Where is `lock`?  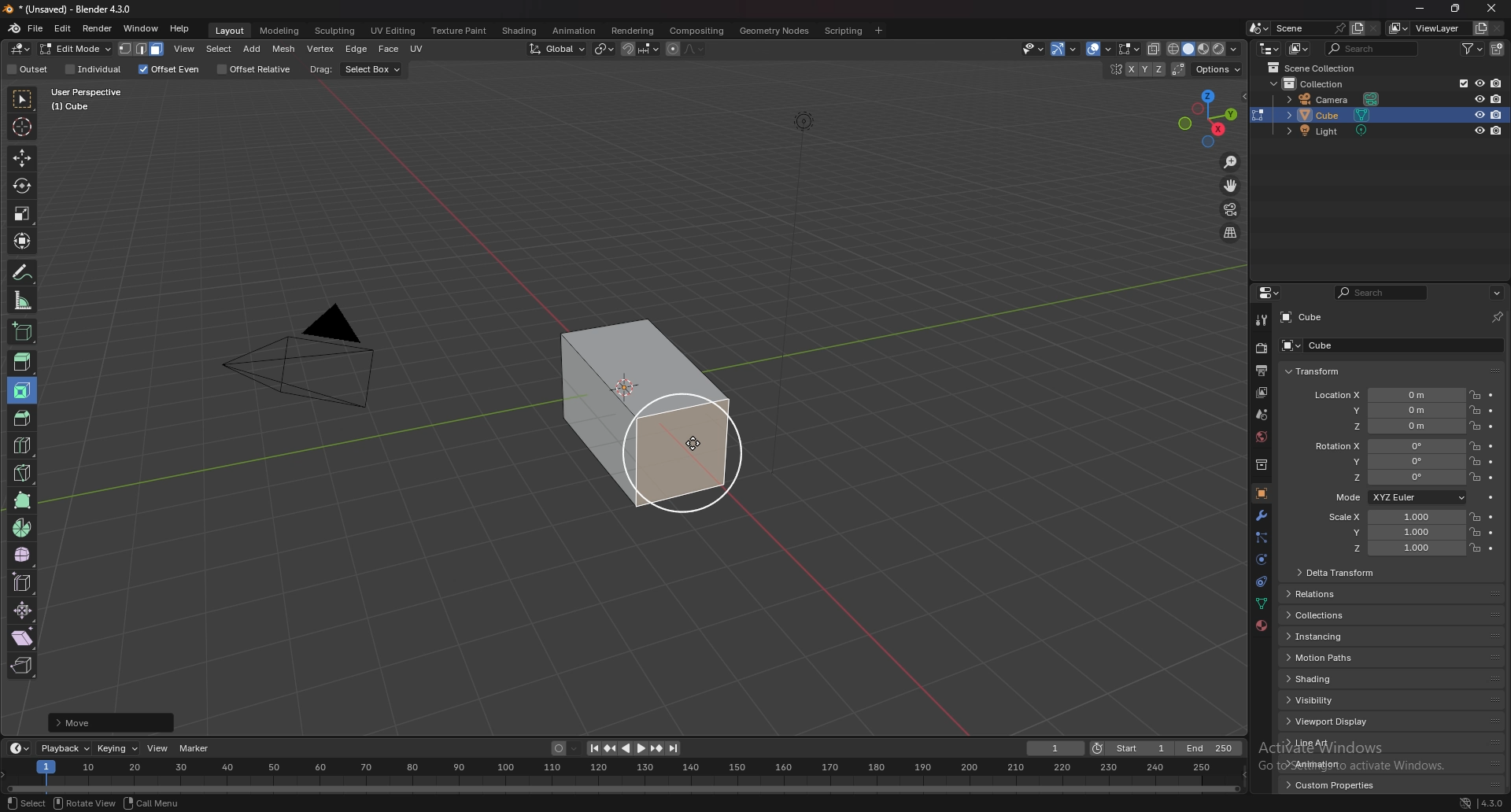
lock is located at coordinates (1474, 516).